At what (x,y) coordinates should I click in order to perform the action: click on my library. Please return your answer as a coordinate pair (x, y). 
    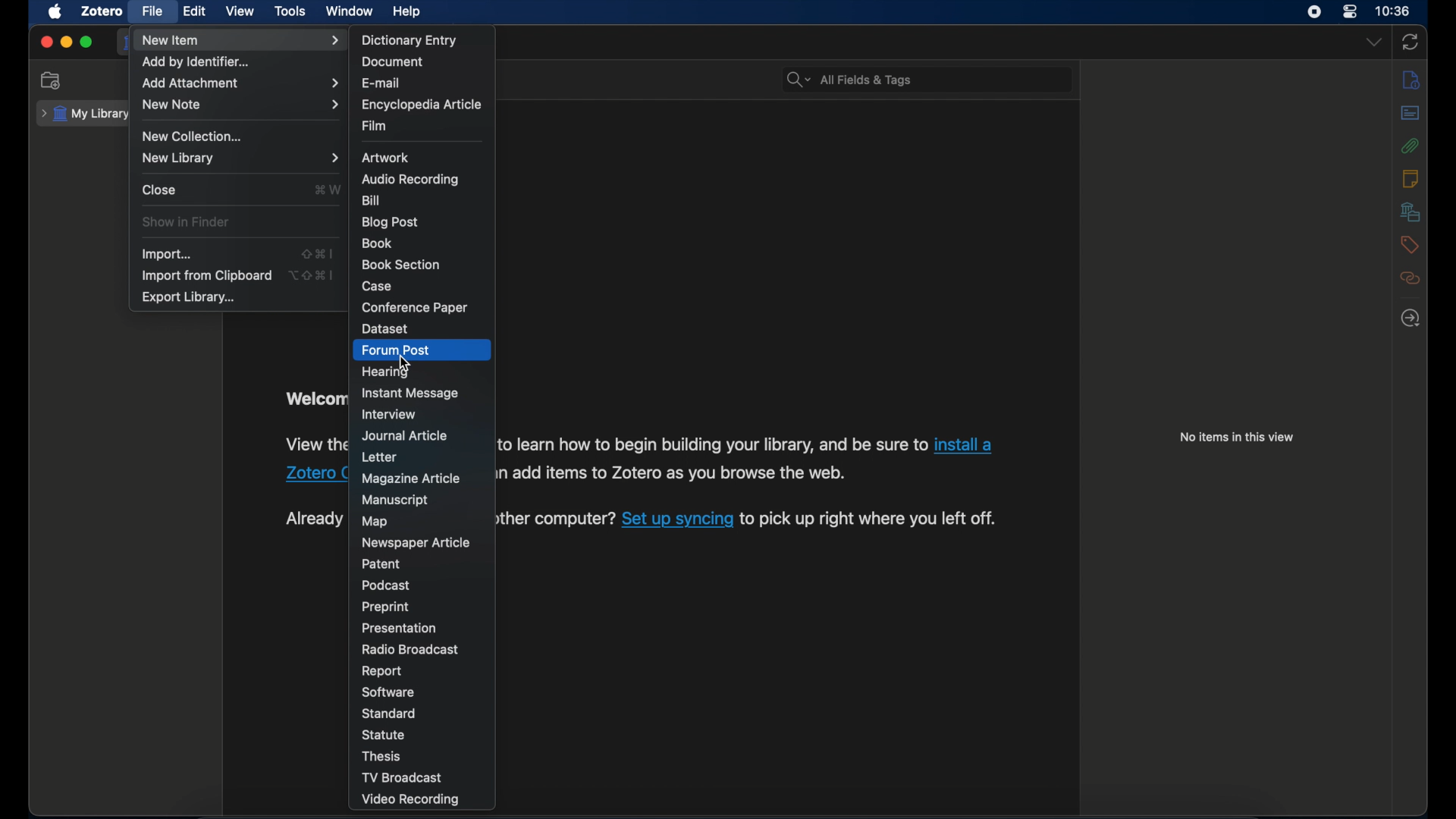
    Looking at the image, I should click on (83, 115).